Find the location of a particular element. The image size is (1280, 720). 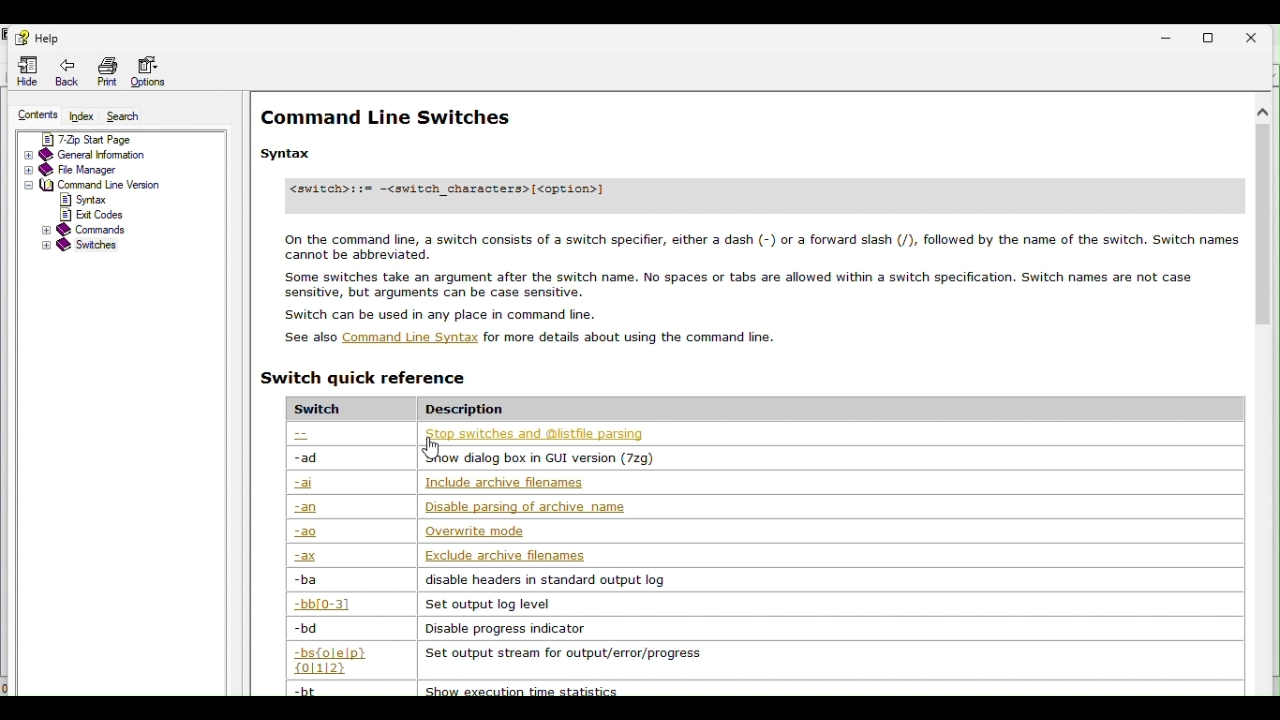

 is located at coordinates (288, 153).